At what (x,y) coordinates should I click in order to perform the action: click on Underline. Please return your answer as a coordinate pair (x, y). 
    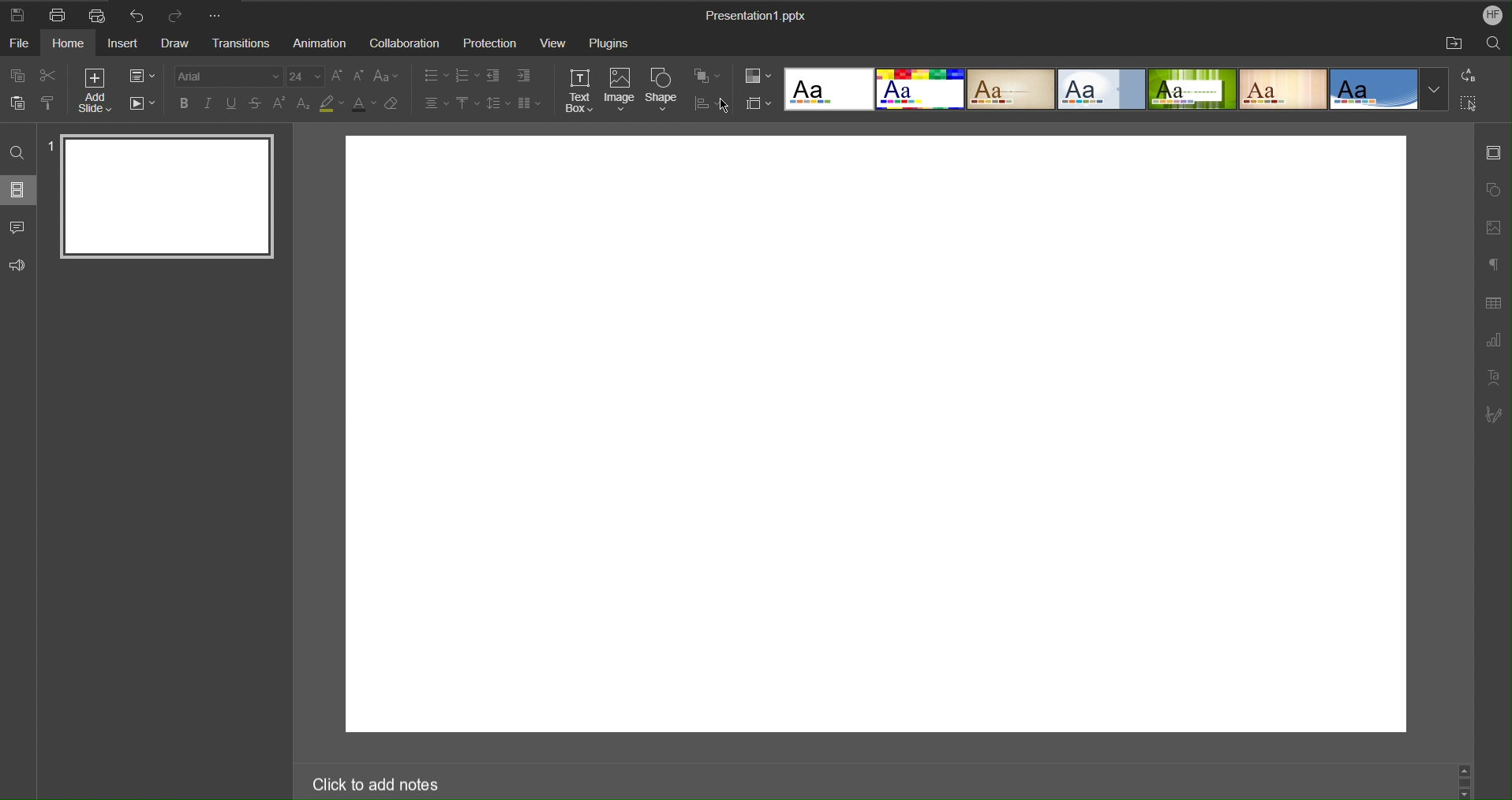
    Looking at the image, I should click on (233, 104).